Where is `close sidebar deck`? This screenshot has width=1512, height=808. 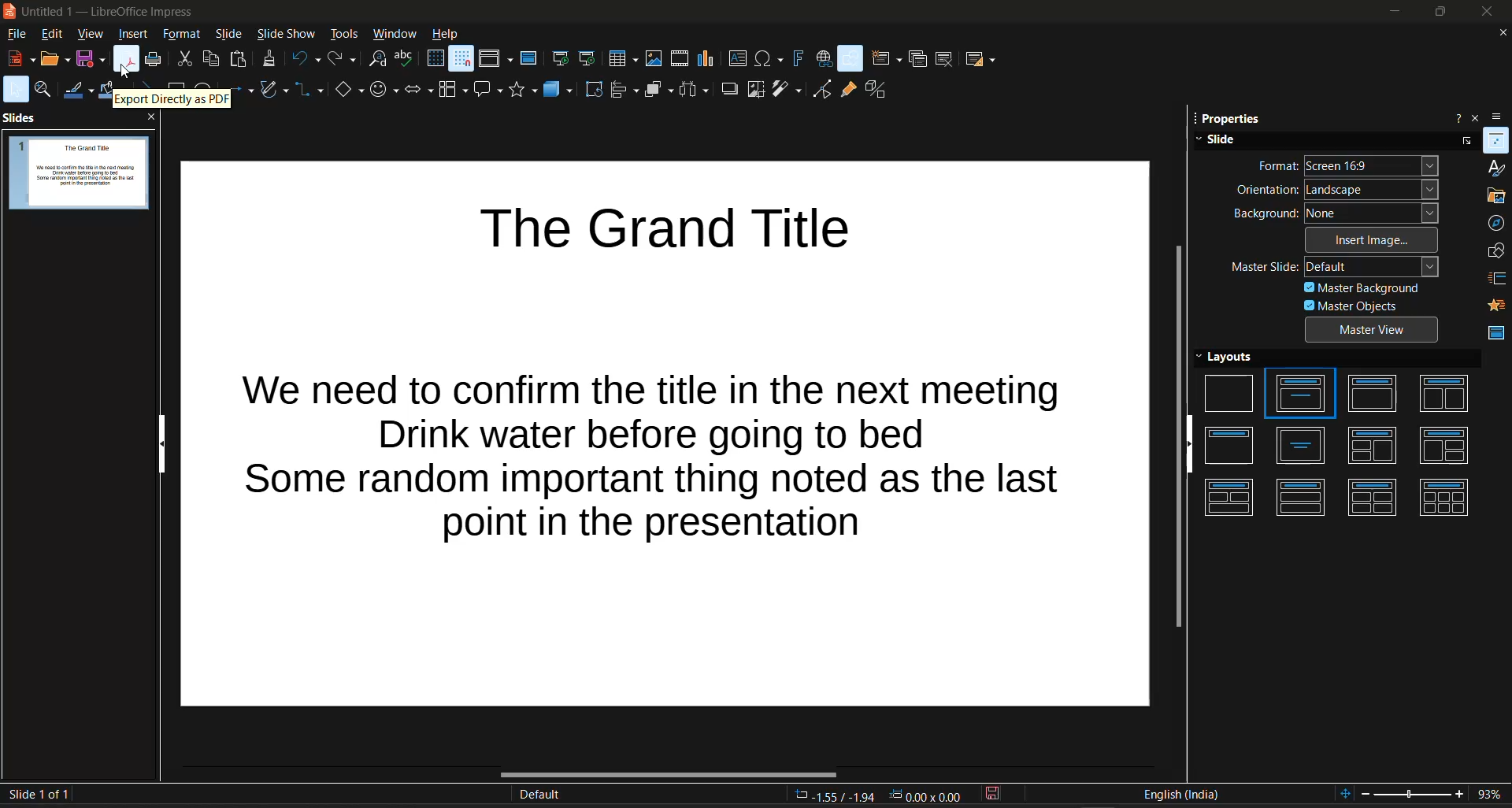 close sidebar deck is located at coordinates (1479, 117).